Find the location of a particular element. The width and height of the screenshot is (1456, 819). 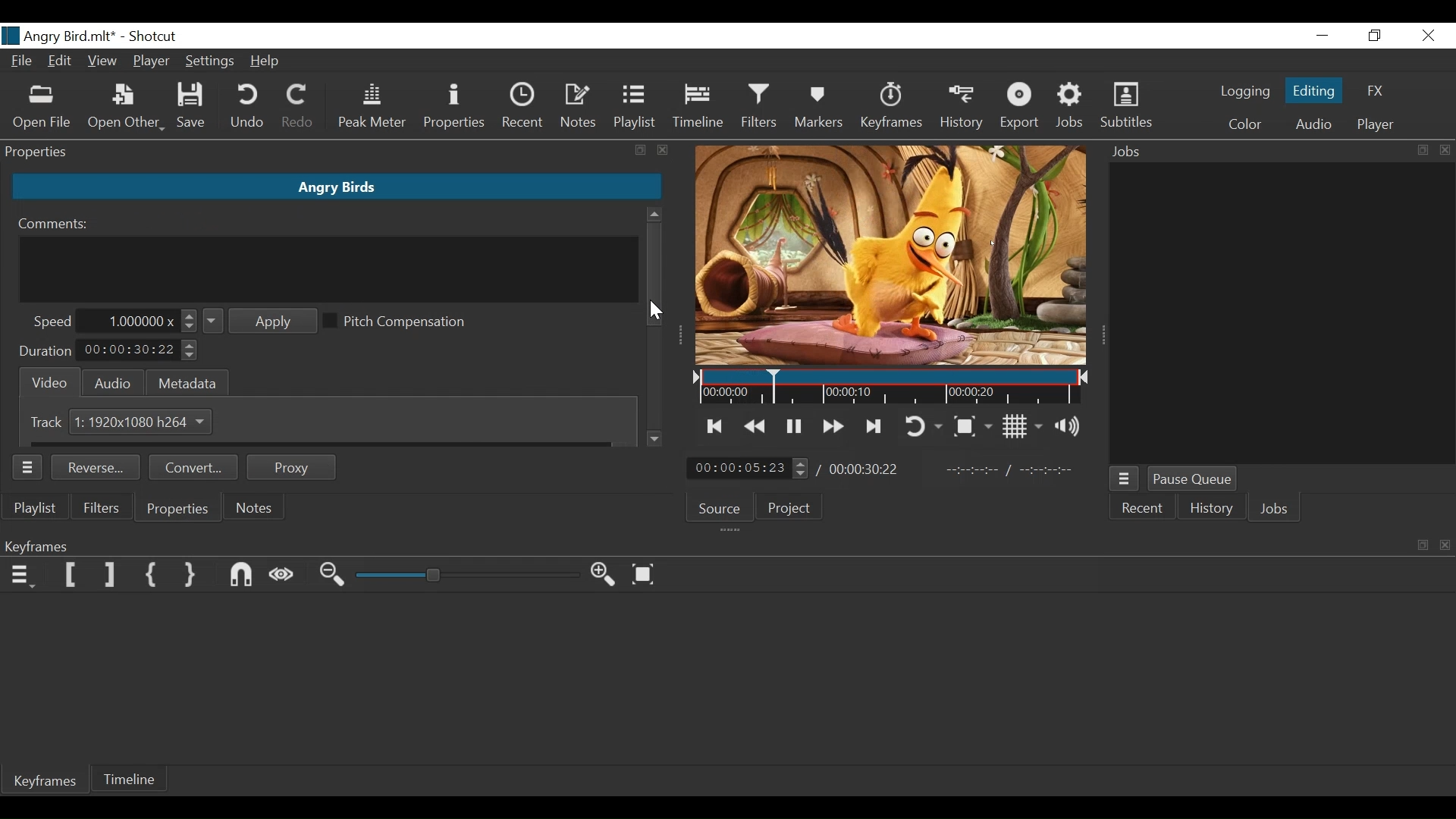

Export is located at coordinates (1023, 108).